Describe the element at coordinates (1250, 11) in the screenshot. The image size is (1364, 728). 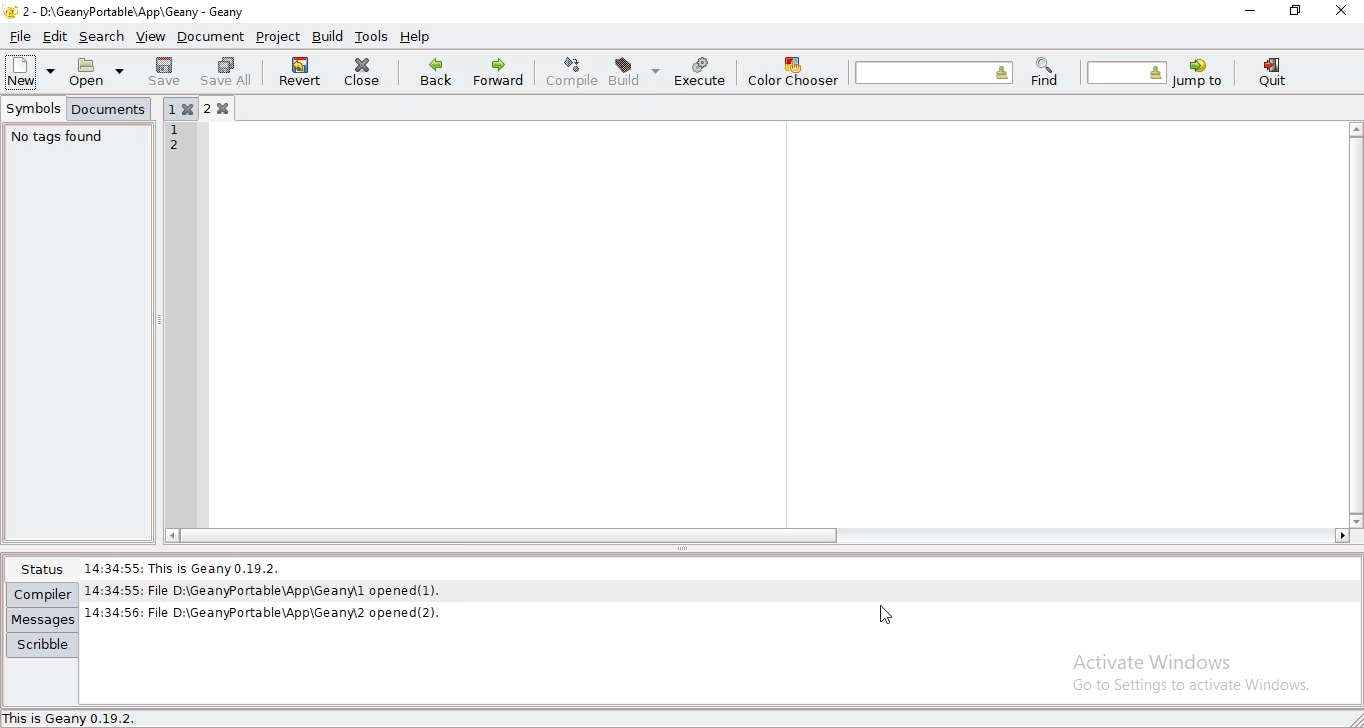
I see `minimize` at that location.